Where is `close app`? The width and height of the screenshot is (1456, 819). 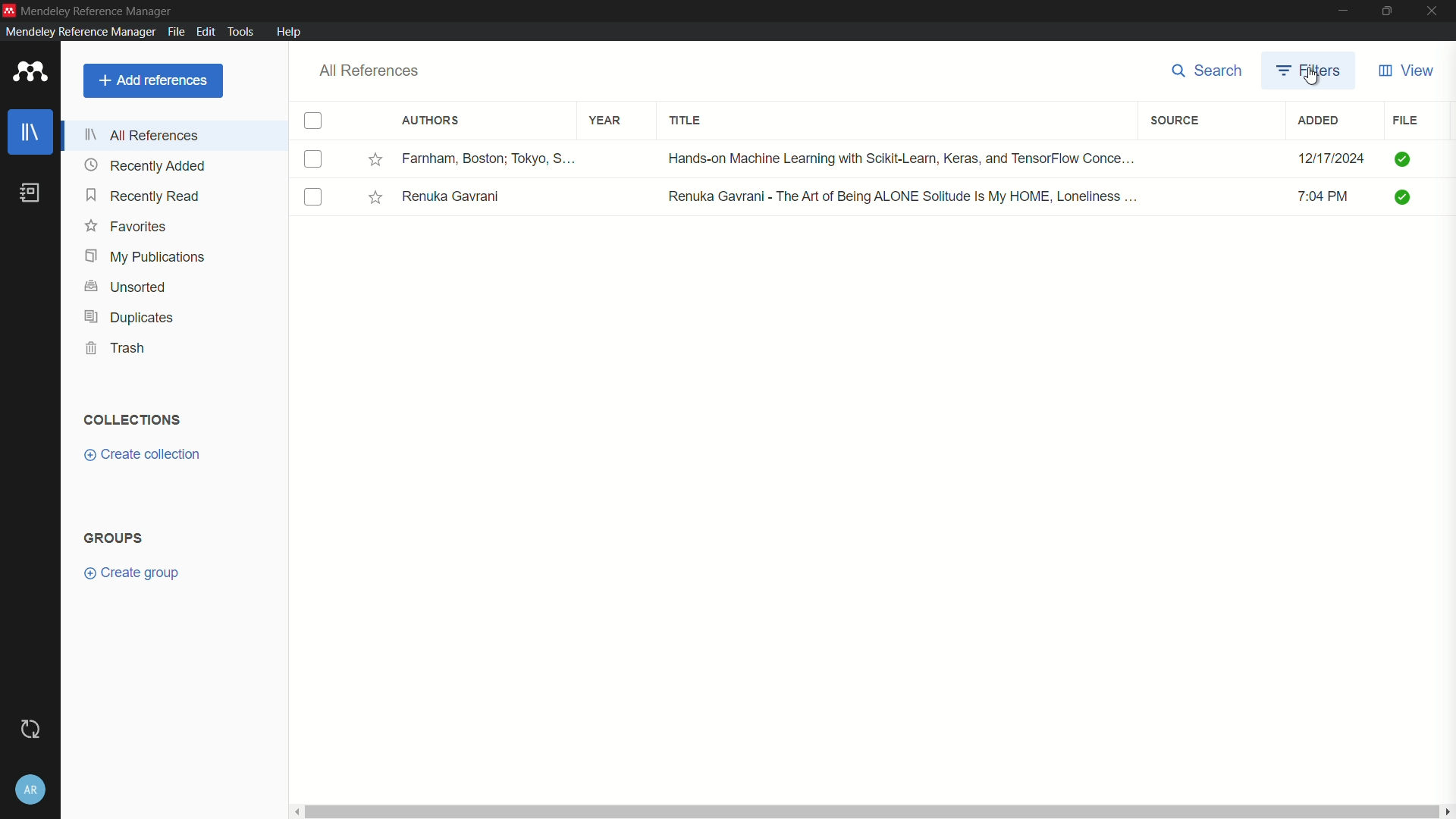 close app is located at coordinates (1436, 11).